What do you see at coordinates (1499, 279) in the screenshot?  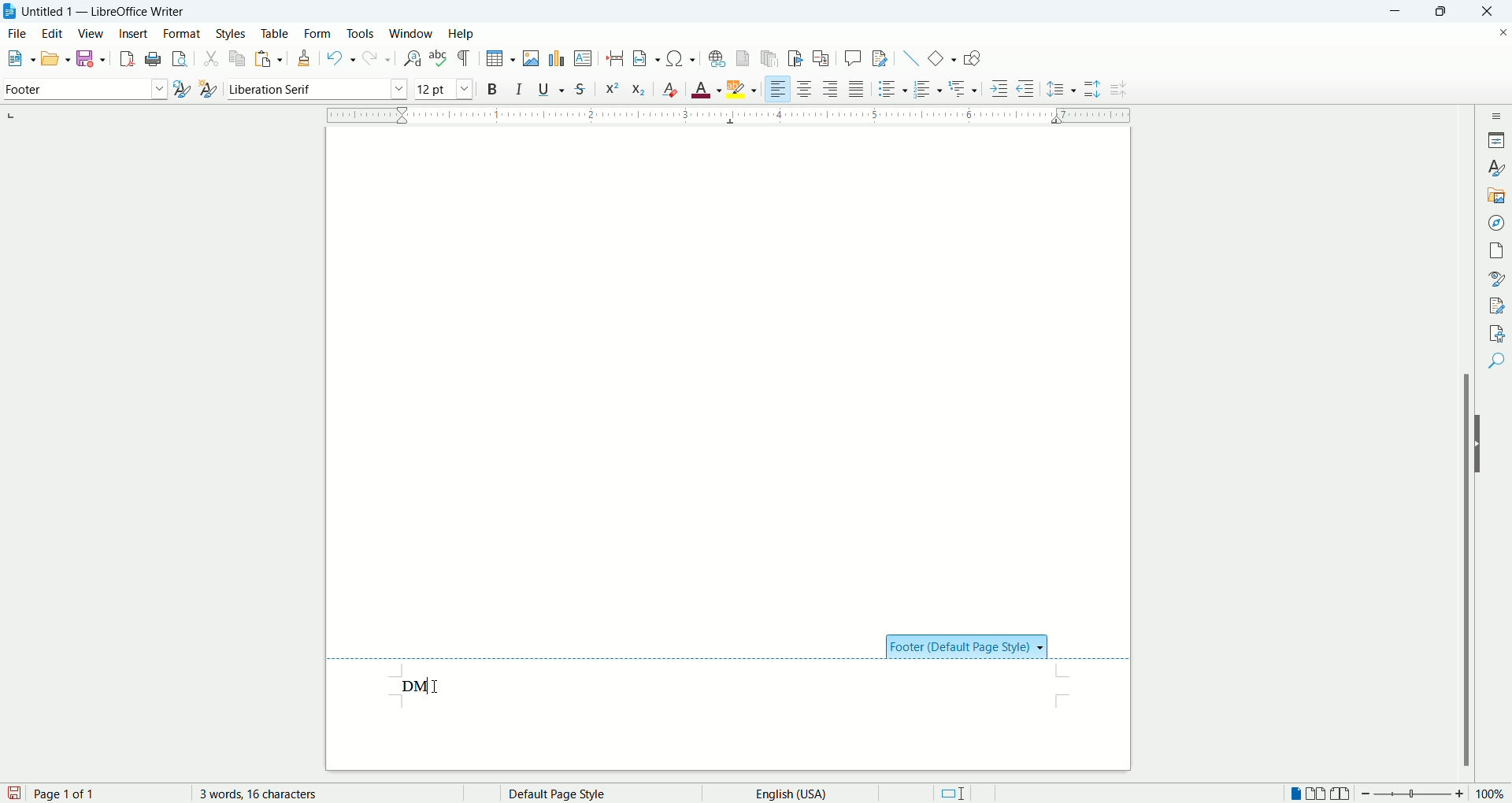 I see `style inspector` at bounding box center [1499, 279].